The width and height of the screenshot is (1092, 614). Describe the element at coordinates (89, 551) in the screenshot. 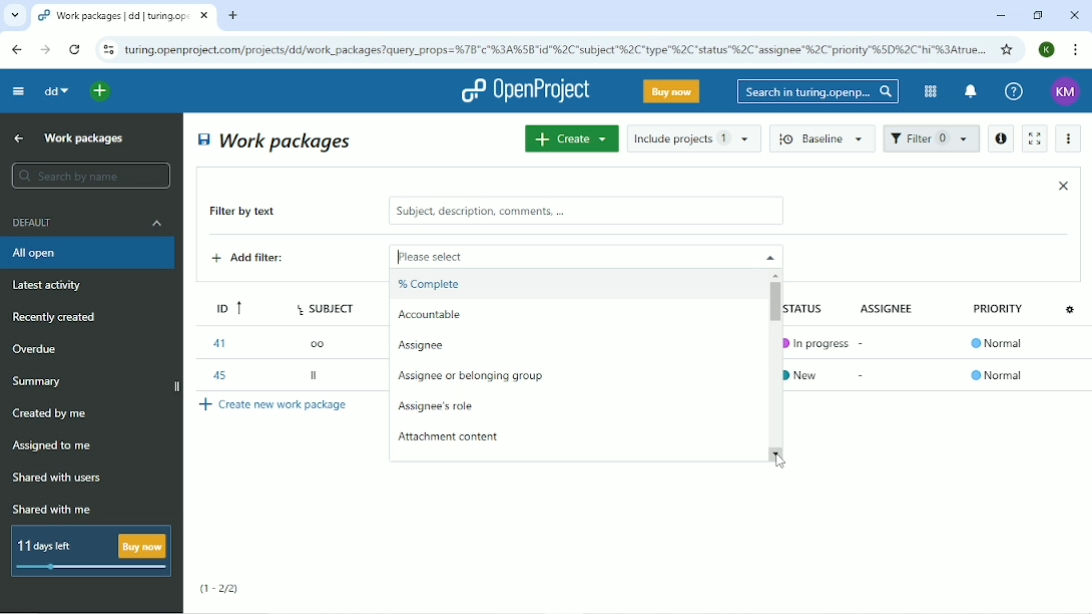

I see `11 days left buy now` at that location.